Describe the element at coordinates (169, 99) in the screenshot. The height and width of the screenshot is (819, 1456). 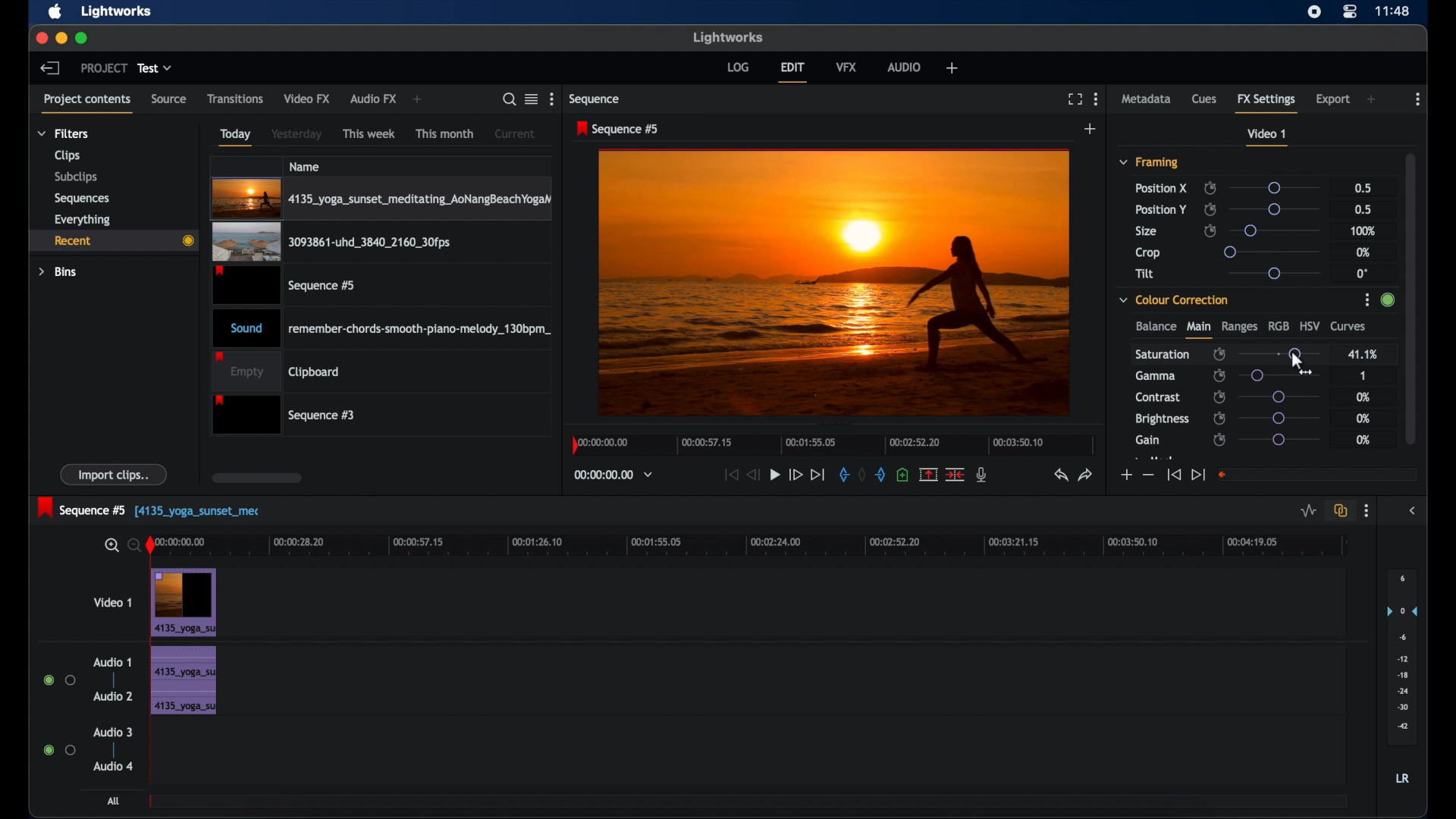
I see `source` at that location.